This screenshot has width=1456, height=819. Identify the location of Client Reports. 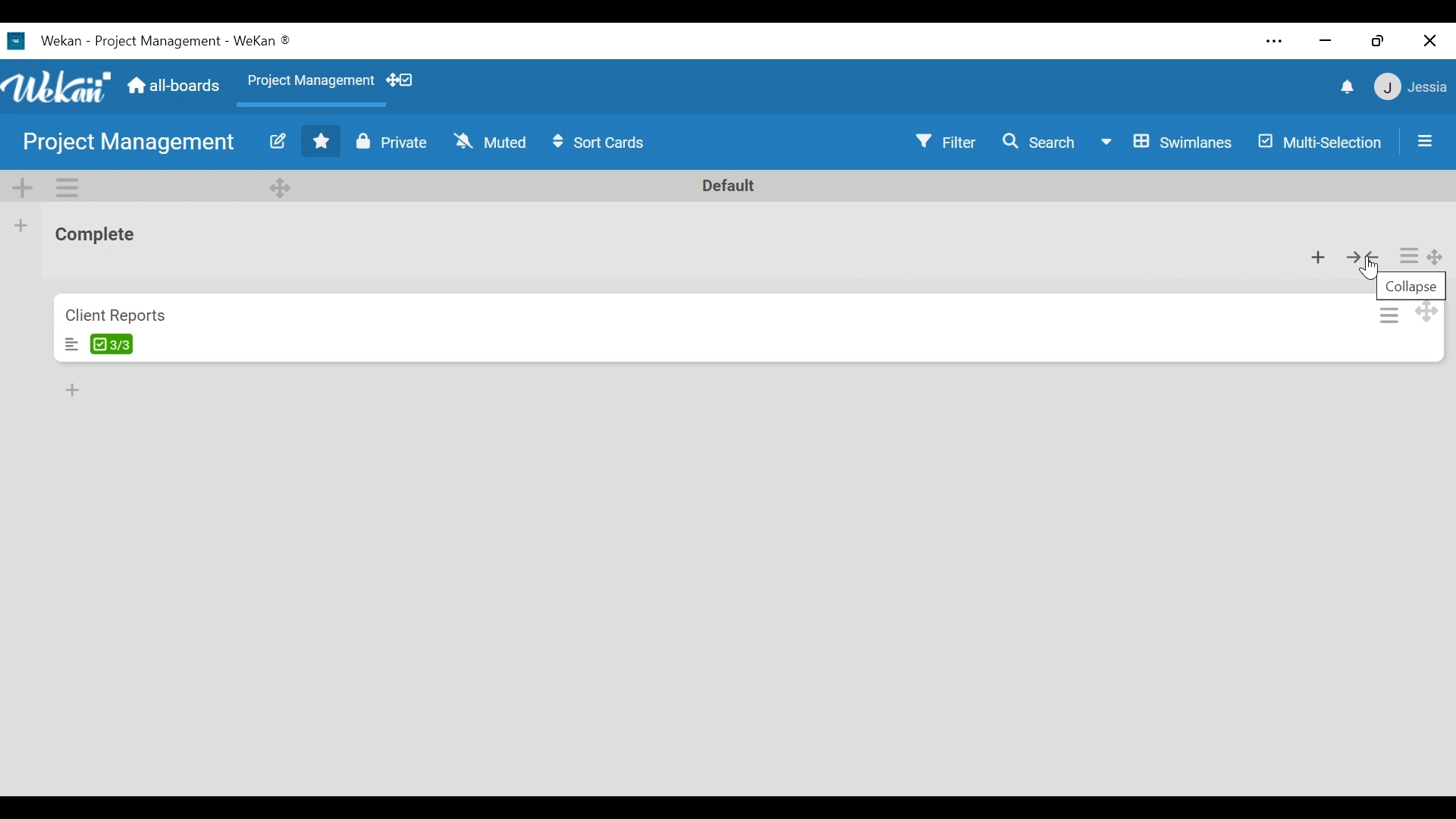
(115, 316).